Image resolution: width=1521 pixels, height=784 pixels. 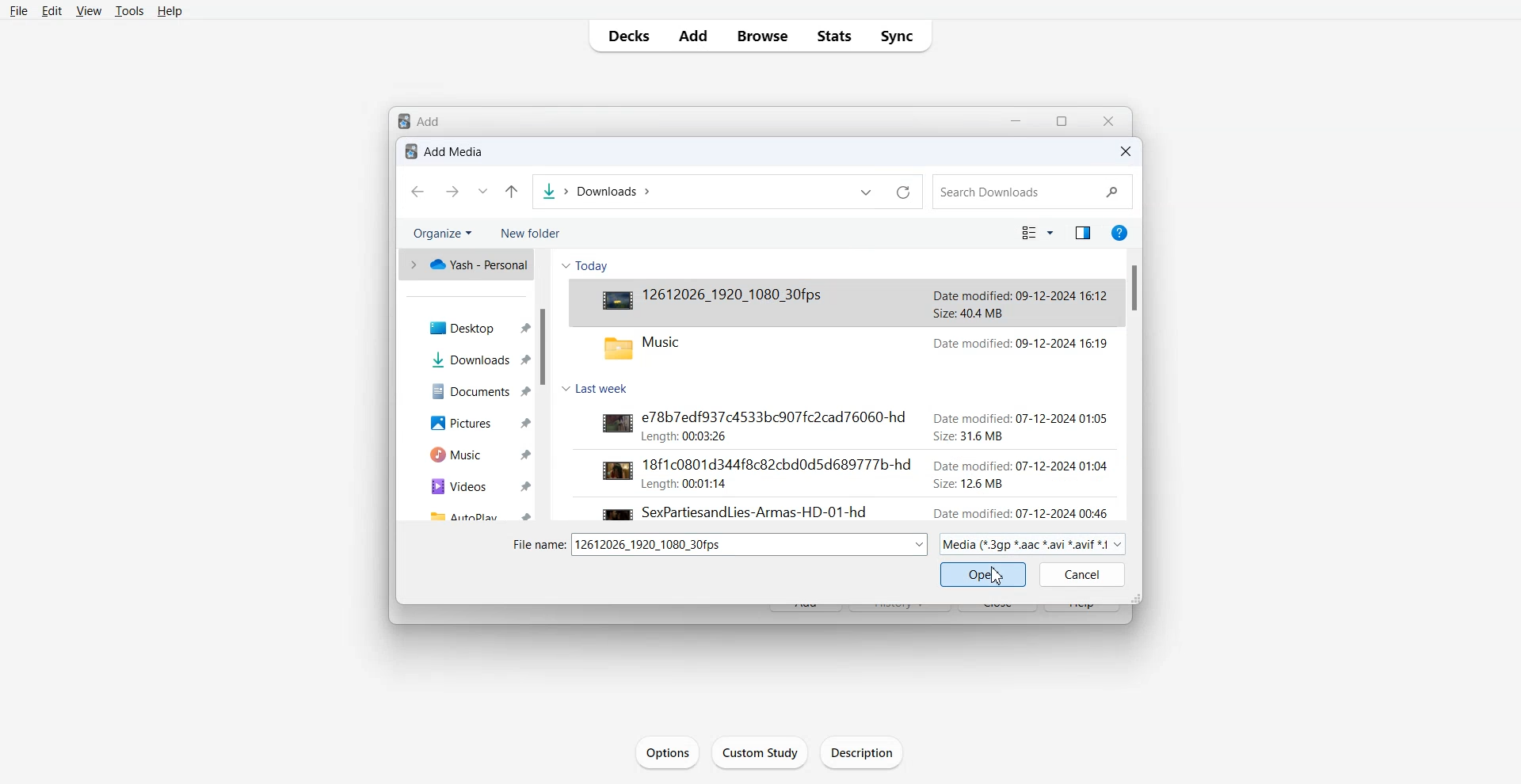 I want to click on Open, so click(x=982, y=576).